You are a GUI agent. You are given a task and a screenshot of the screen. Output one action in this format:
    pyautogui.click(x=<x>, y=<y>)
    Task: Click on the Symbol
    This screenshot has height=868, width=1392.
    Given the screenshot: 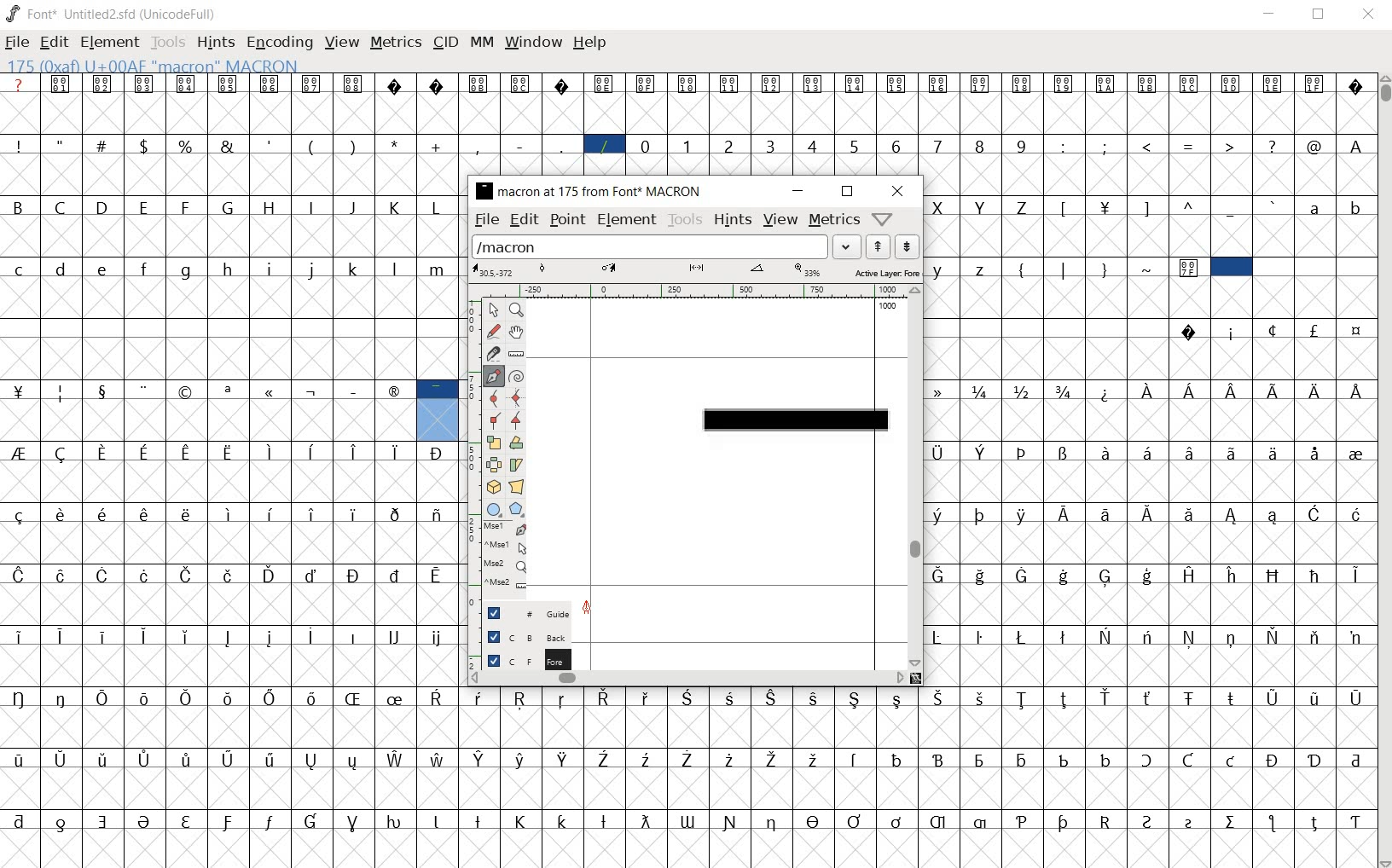 What is the action you would take?
    pyautogui.click(x=942, y=757)
    